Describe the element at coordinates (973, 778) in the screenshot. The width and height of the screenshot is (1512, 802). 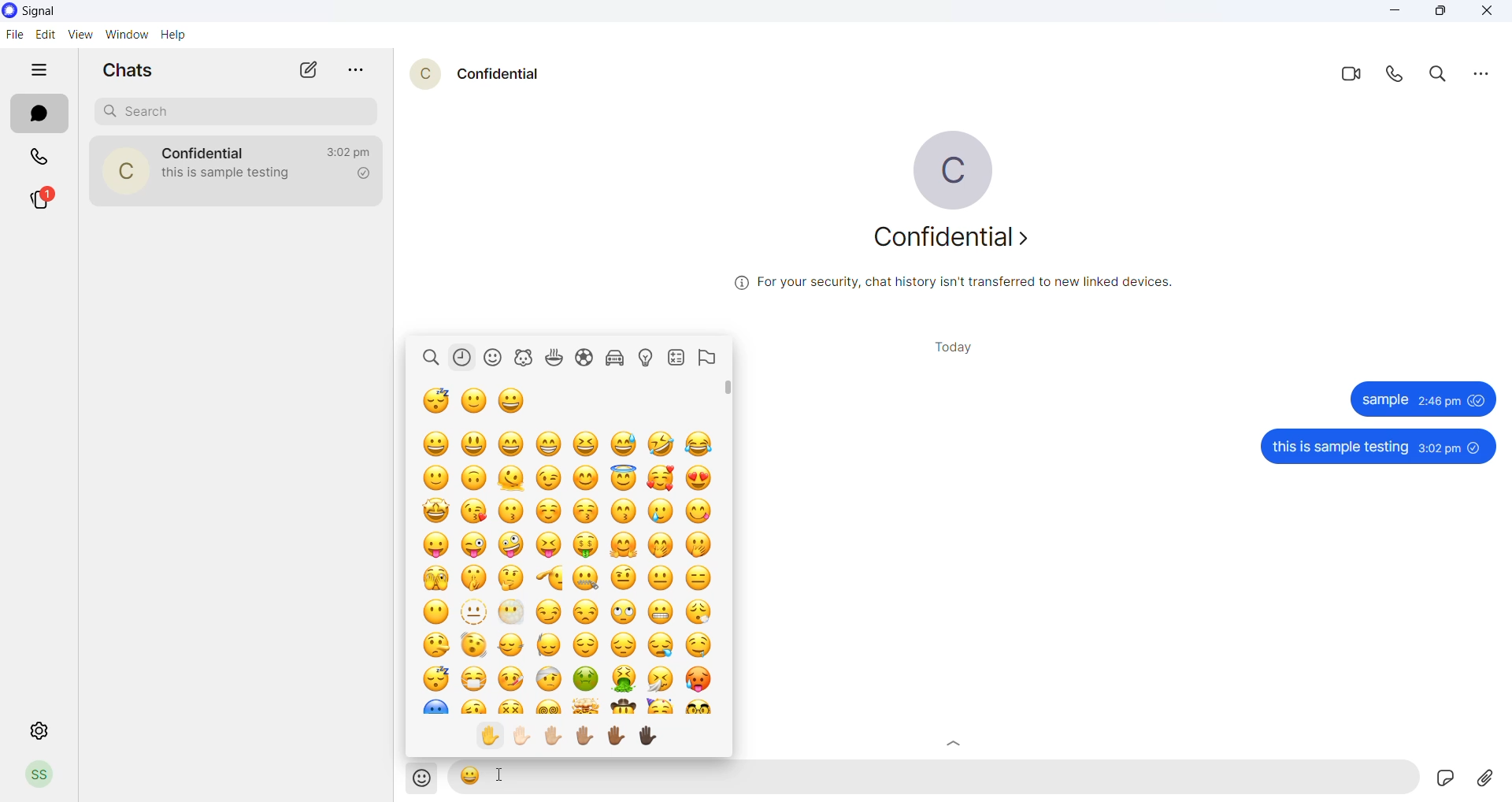
I see `message text area` at that location.